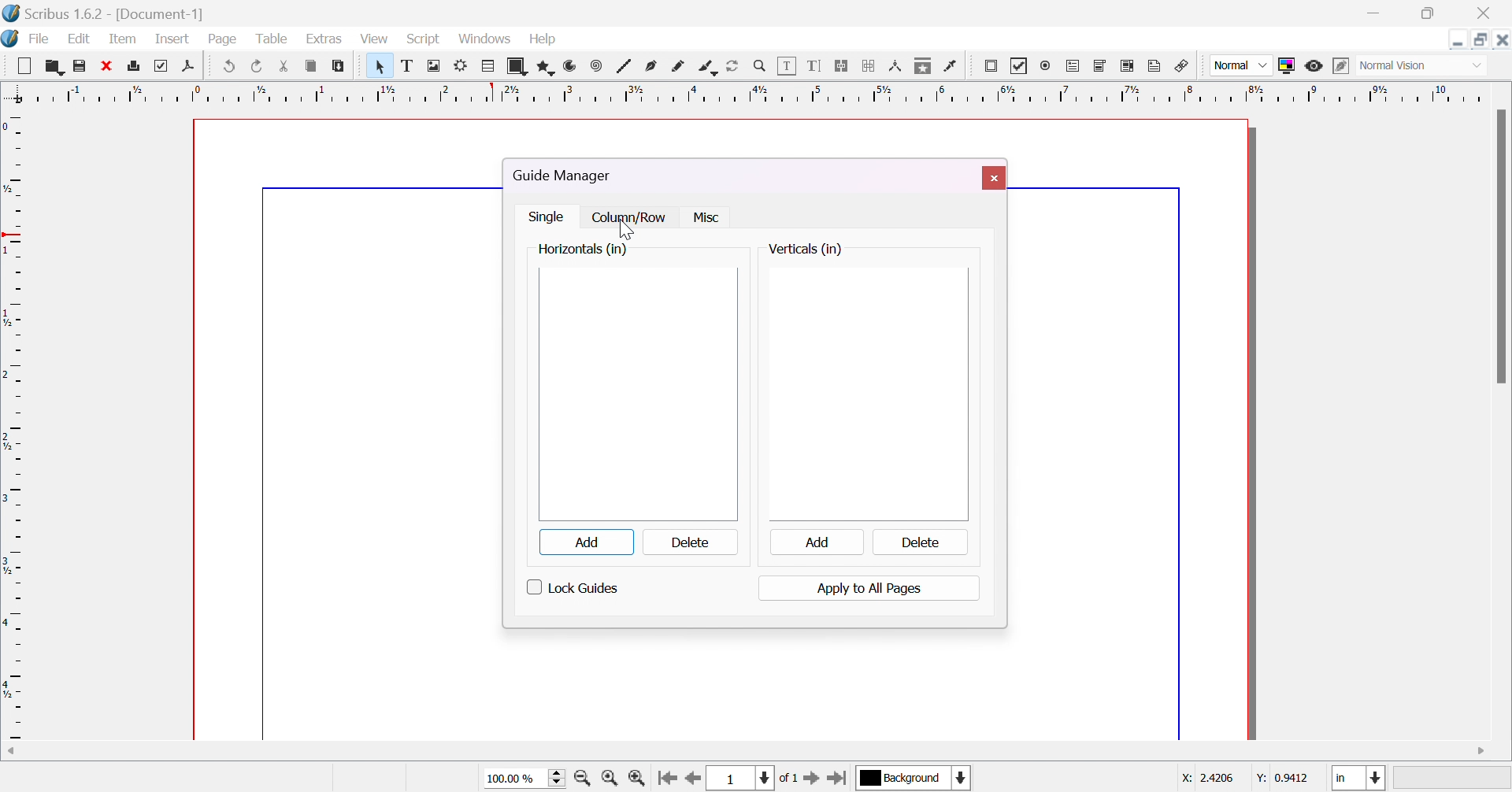 The width and height of the screenshot is (1512, 792). What do you see at coordinates (549, 40) in the screenshot?
I see `help` at bounding box center [549, 40].